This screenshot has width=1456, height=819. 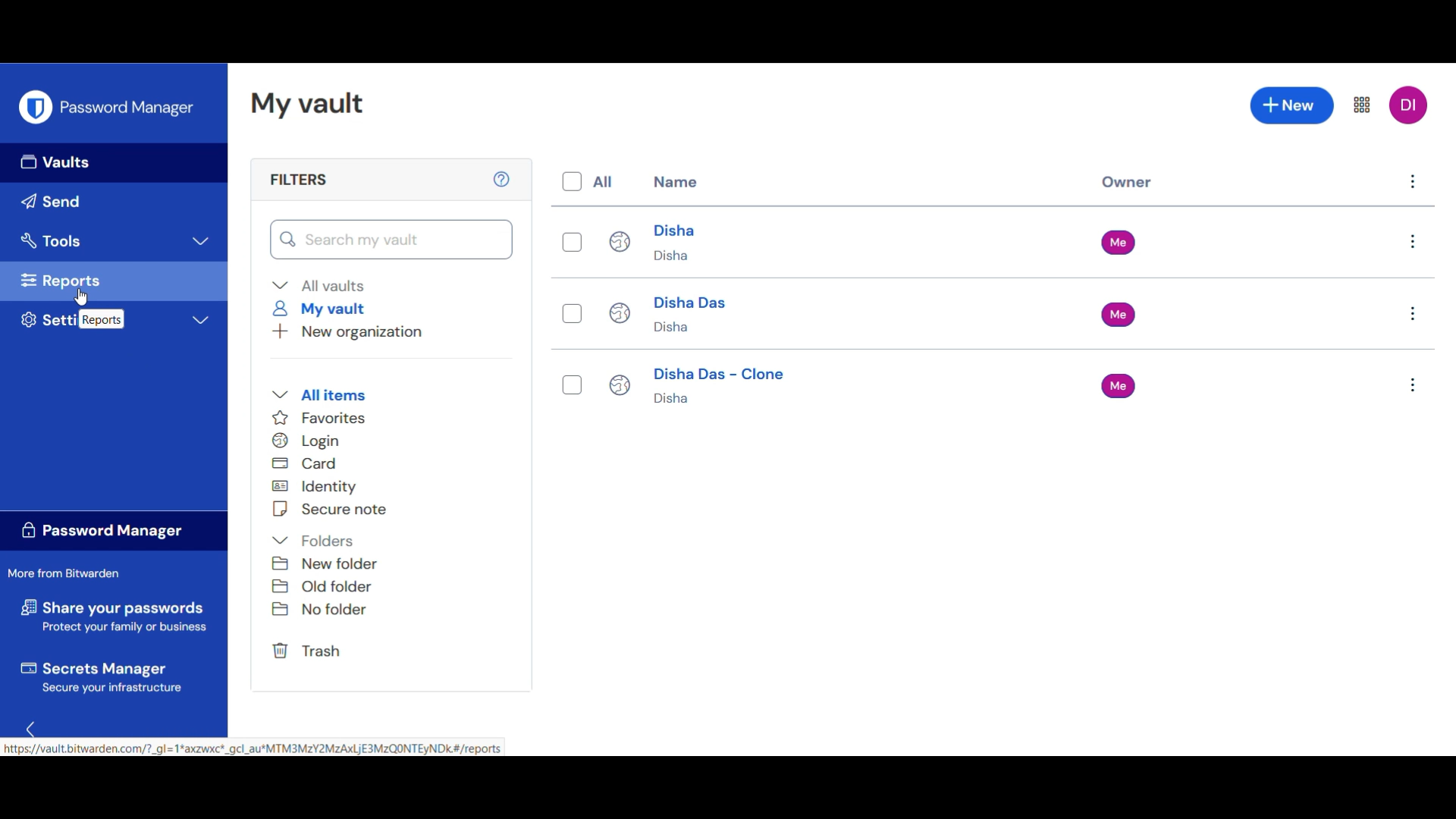 I want to click on Collapse All vaults, so click(x=318, y=285).